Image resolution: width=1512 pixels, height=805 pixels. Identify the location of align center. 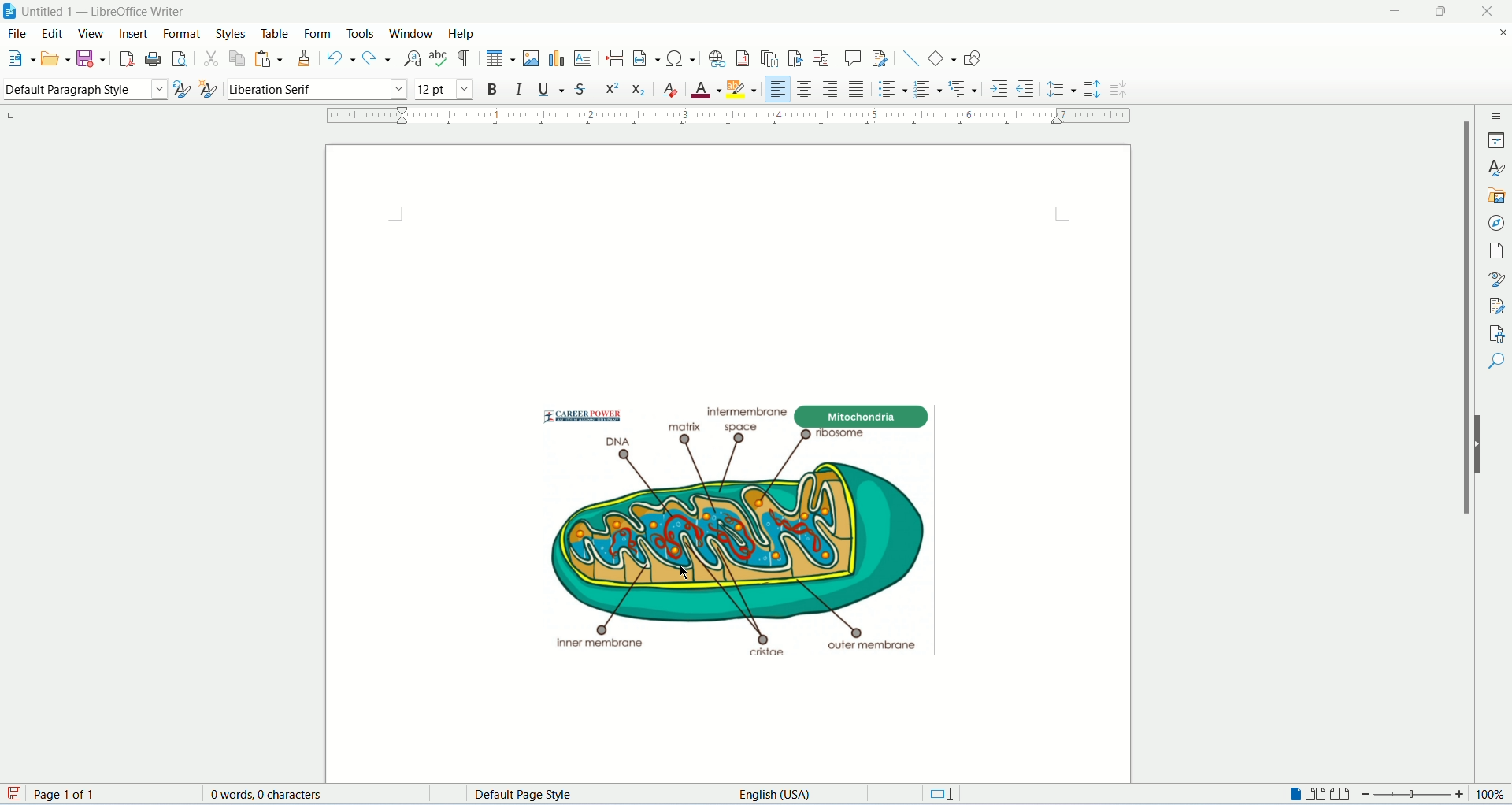
(807, 90).